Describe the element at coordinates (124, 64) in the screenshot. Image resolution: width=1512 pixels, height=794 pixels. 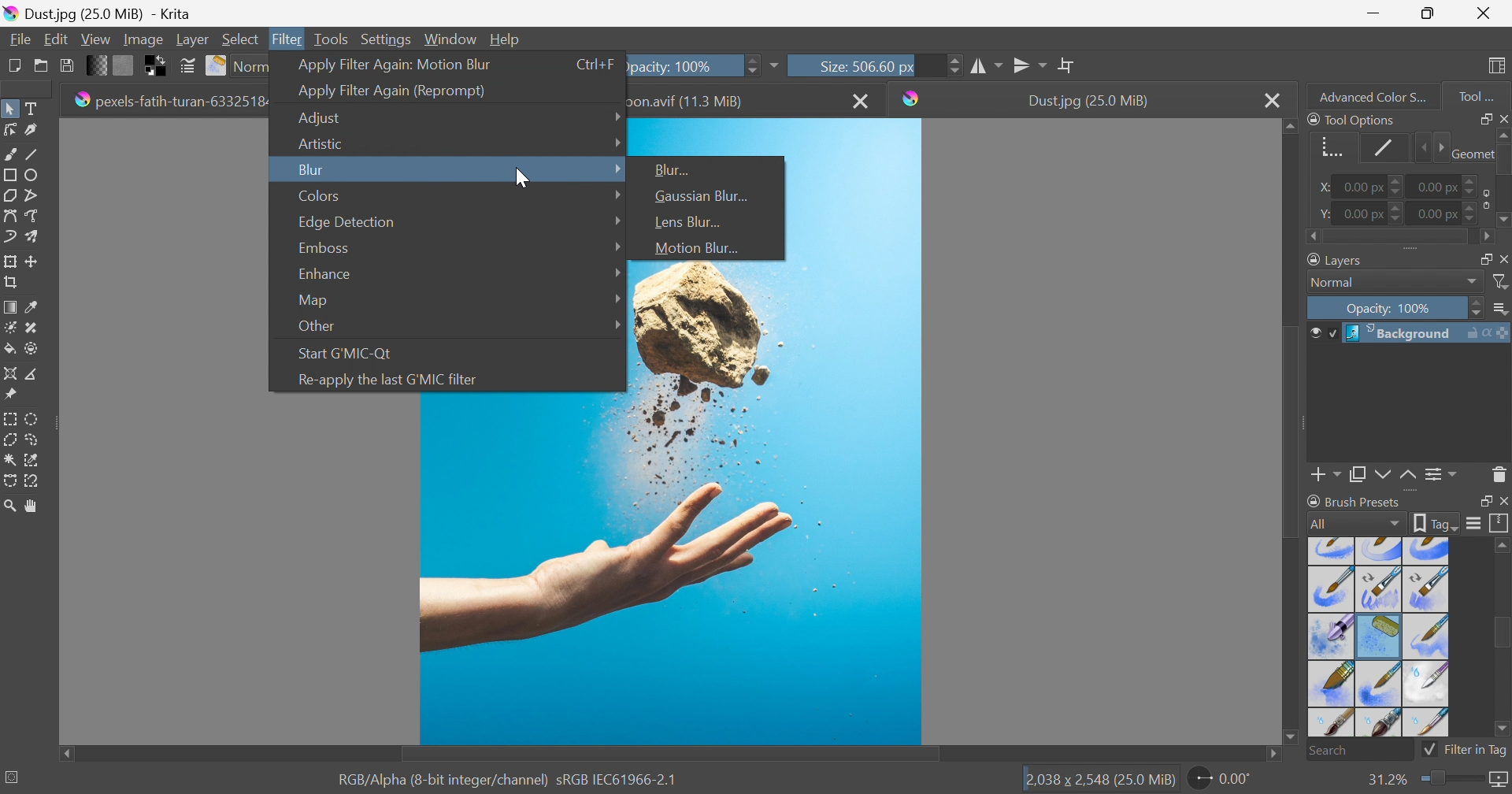
I see `Fill patterns` at that location.